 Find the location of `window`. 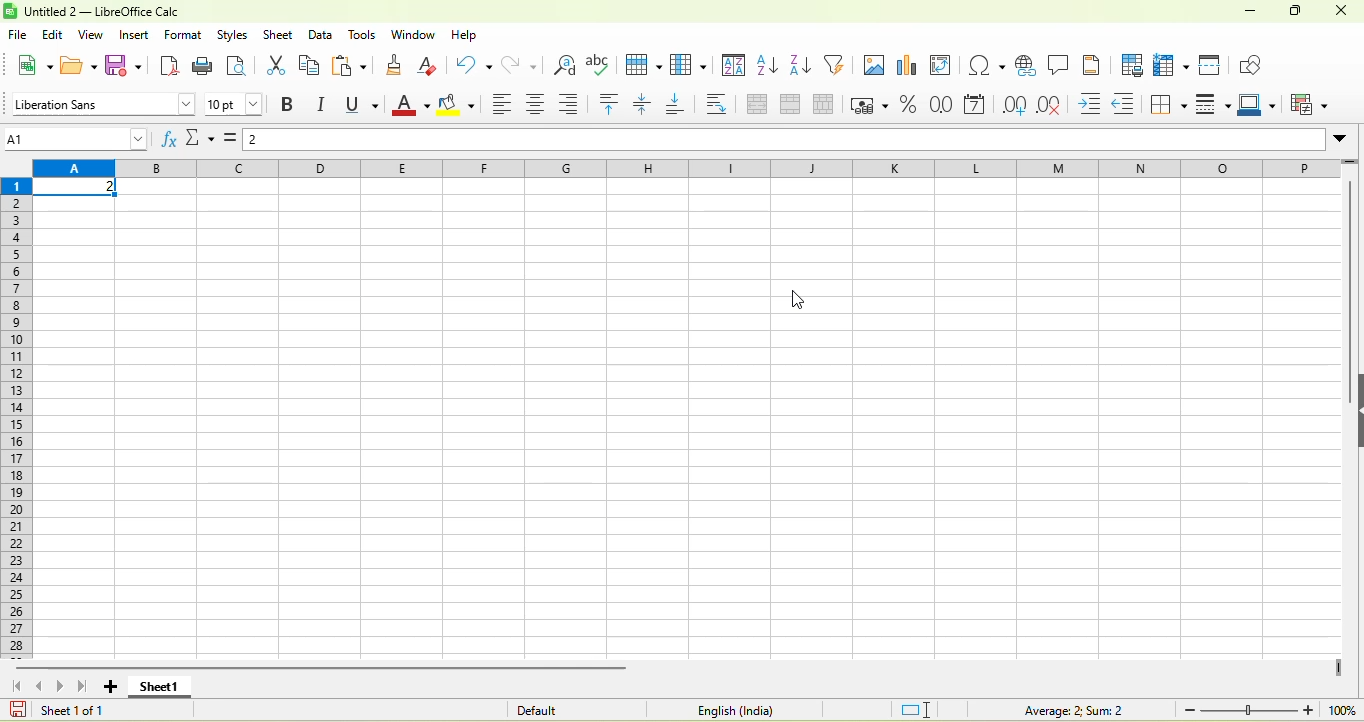

window is located at coordinates (411, 36).